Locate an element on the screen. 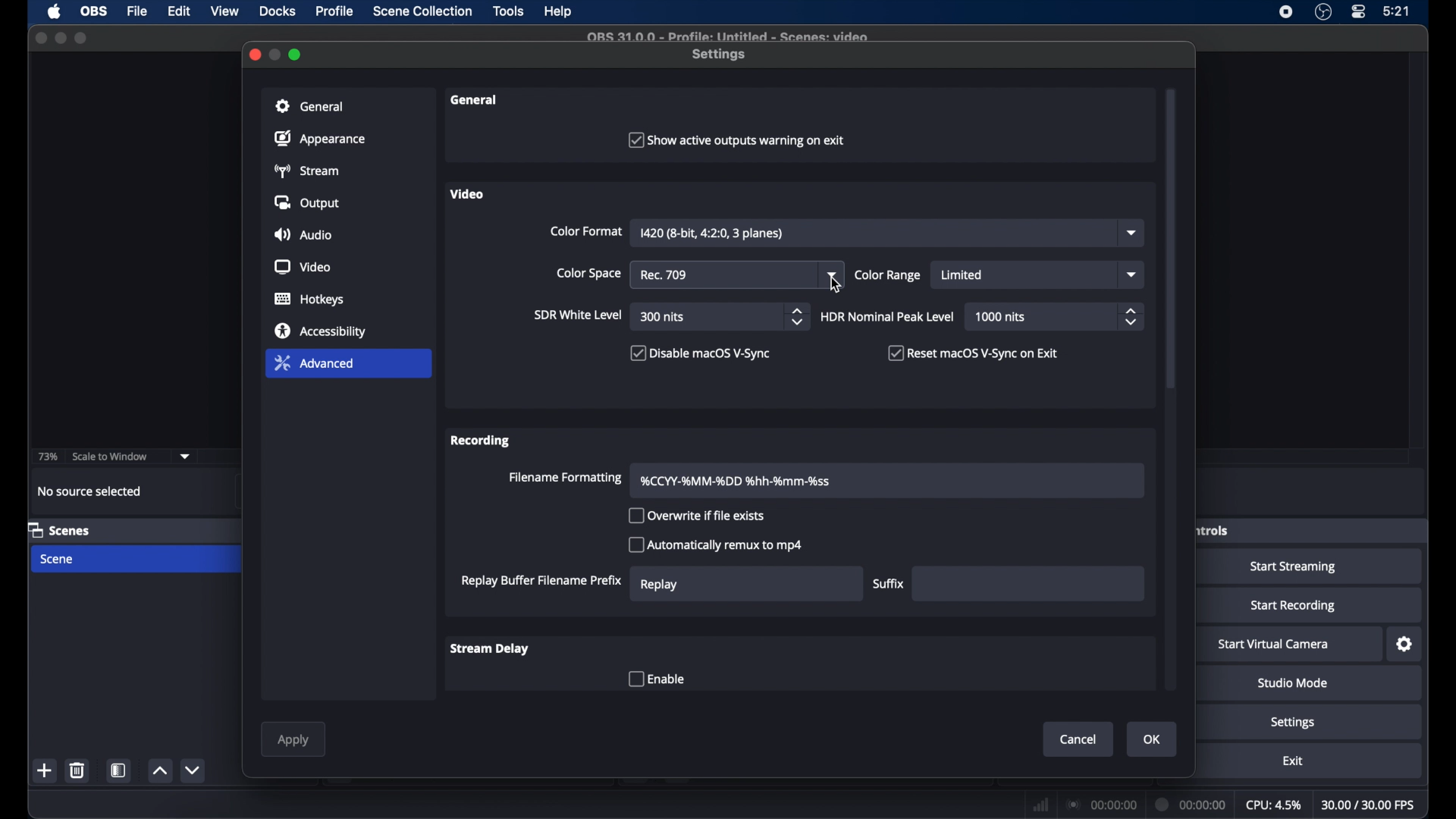  studio mode is located at coordinates (1294, 685).